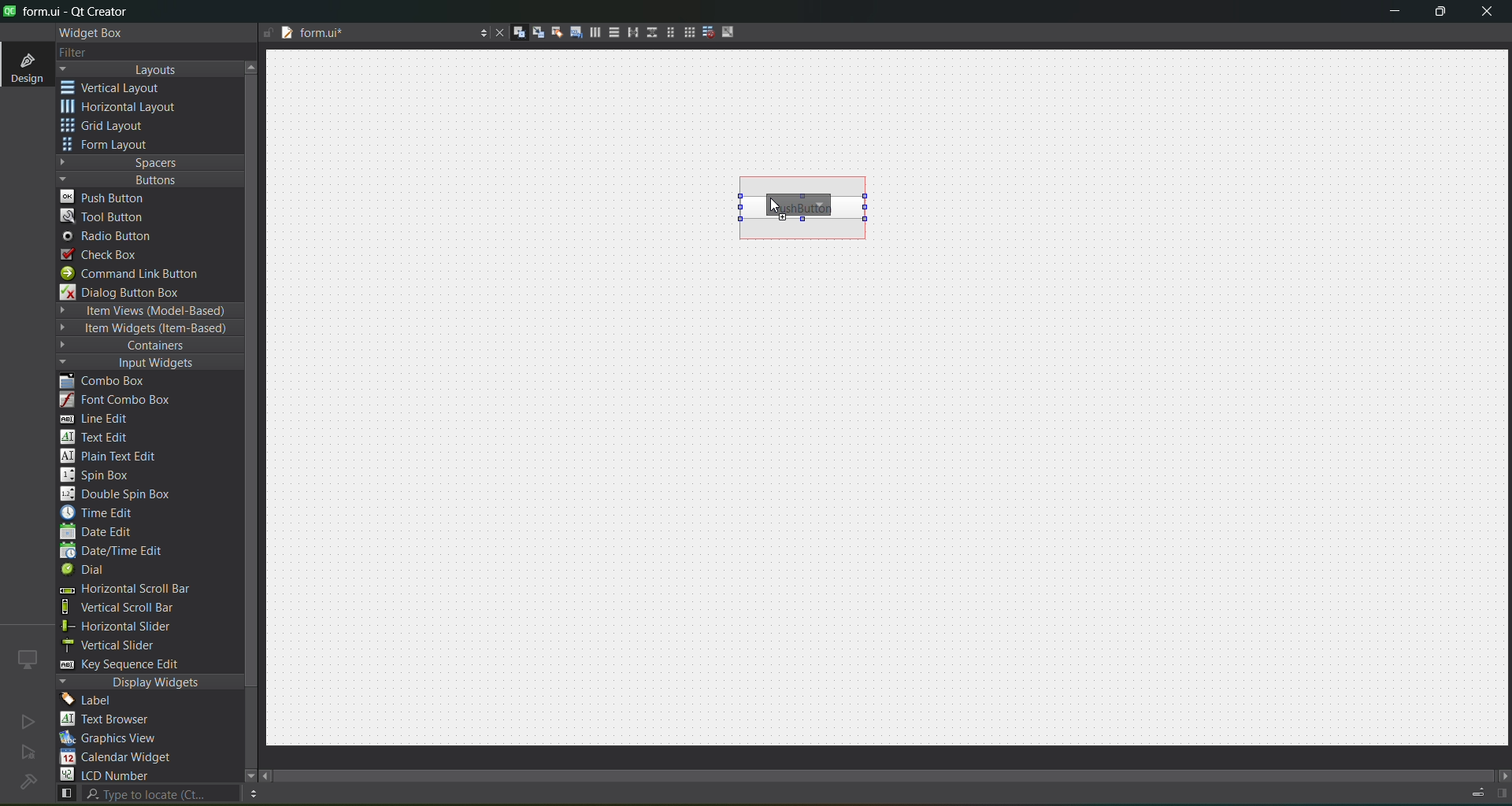  Describe the element at coordinates (628, 33) in the screenshot. I see `horizontal splitter` at that location.